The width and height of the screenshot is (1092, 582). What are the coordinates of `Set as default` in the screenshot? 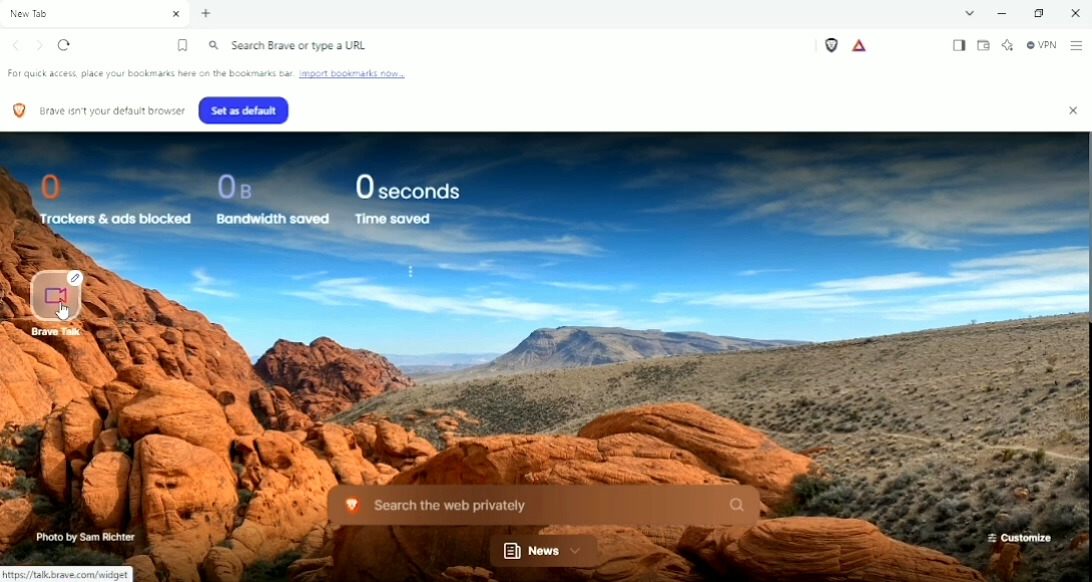 It's located at (248, 109).